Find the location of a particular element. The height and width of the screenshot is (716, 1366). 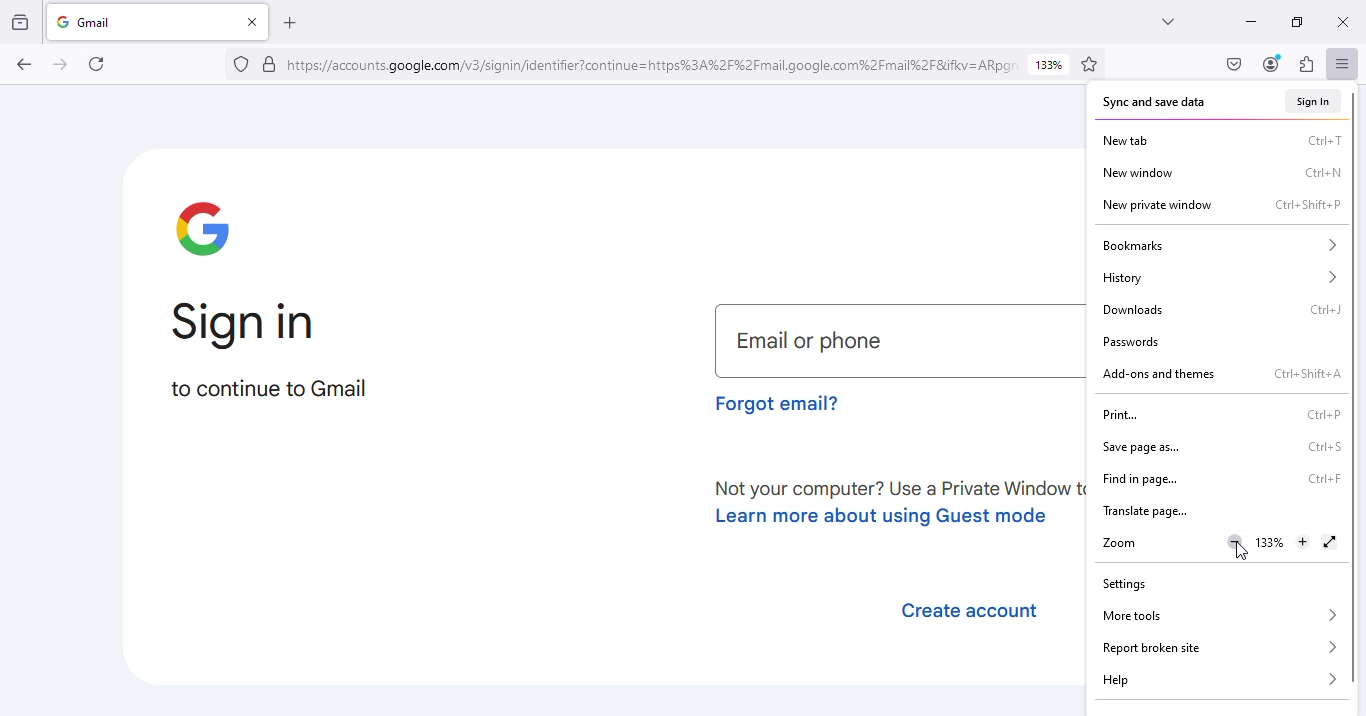

shortcut for add-ons and themes is located at coordinates (1306, 375).